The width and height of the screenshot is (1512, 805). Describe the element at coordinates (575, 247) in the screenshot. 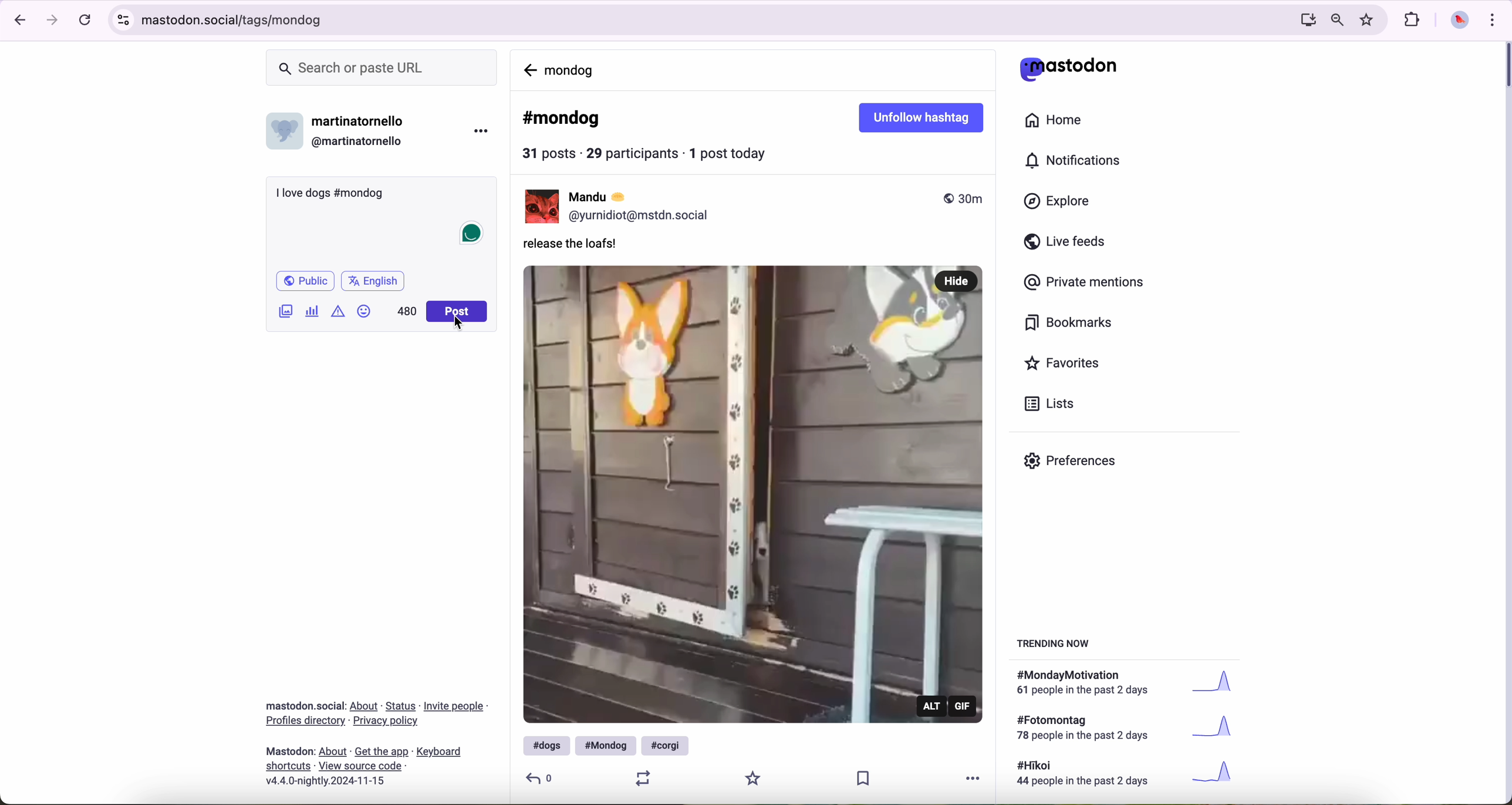

I see `release the loafs!` at that location.